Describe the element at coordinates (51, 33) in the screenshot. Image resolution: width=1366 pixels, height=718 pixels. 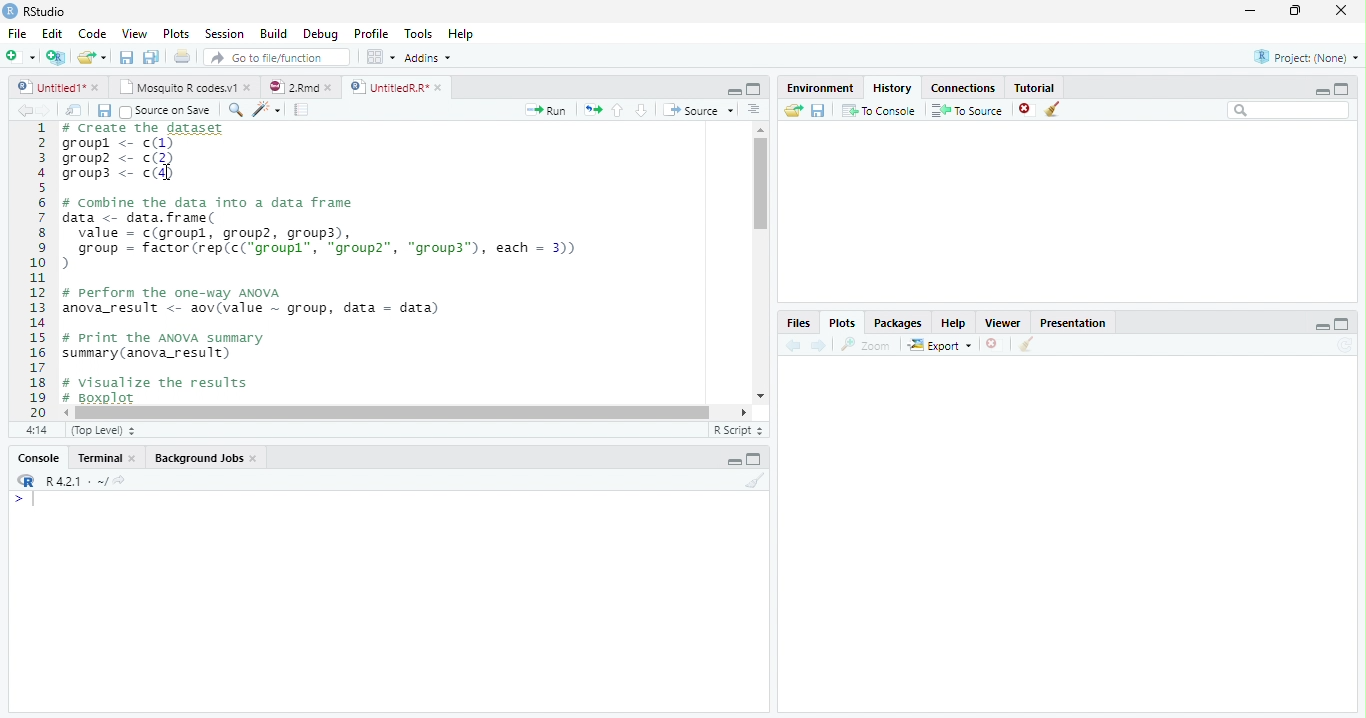
I see `Edit` at that location.